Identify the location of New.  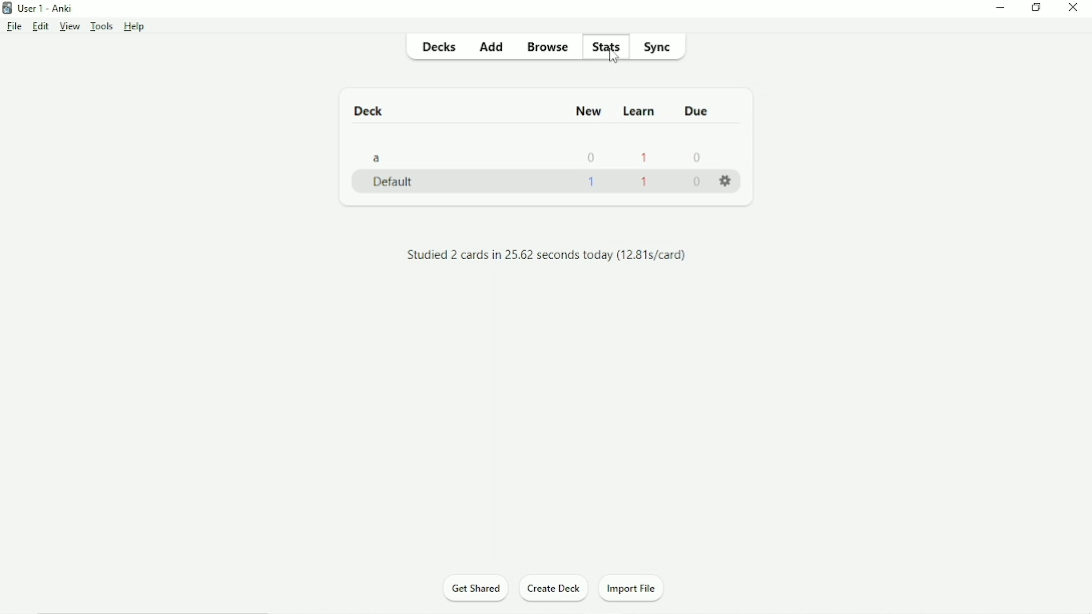
(587, 111).